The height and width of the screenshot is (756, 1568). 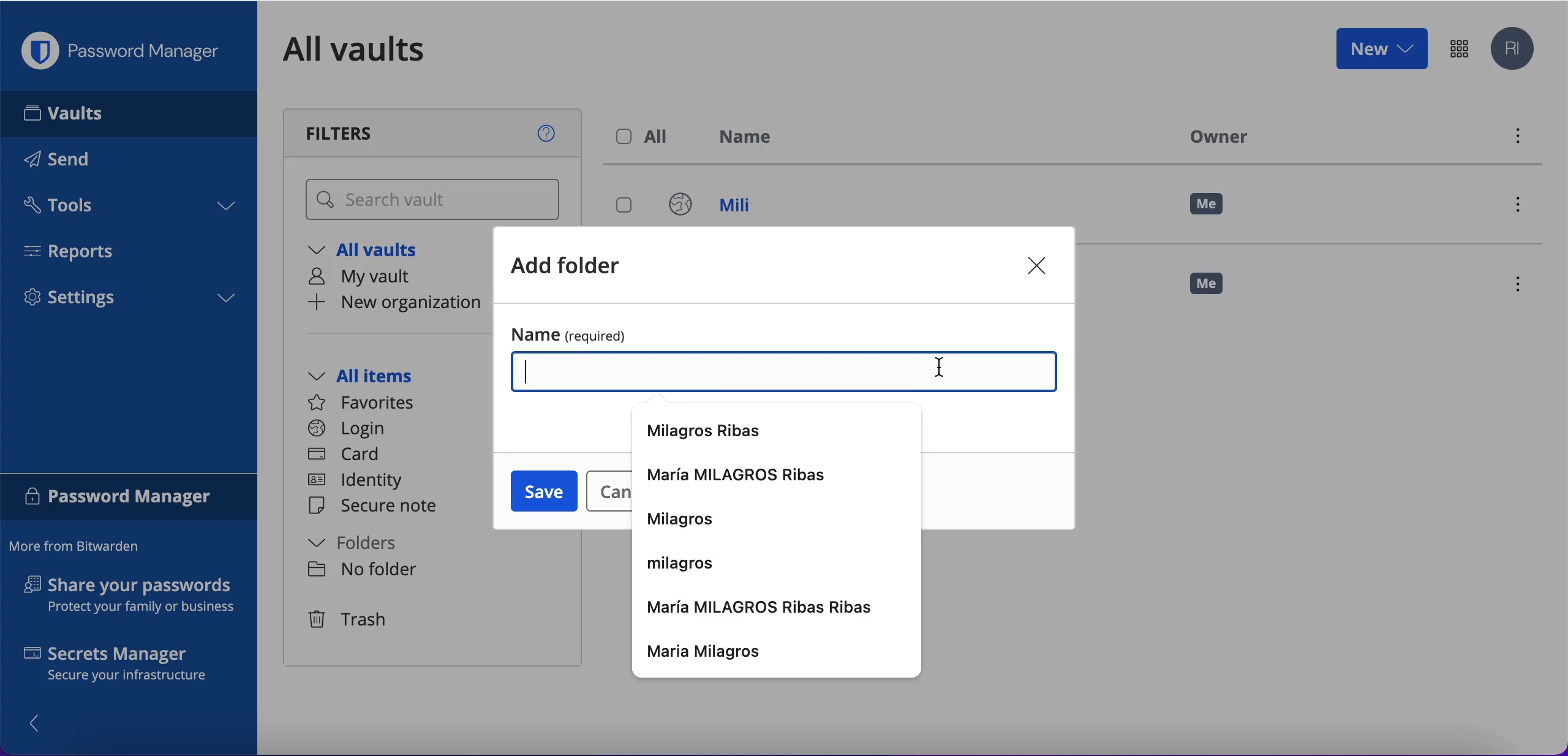 What do you see at coordinates (1515, 50) in the screenshot?
I see `account` at bounding box center [1515, 50].